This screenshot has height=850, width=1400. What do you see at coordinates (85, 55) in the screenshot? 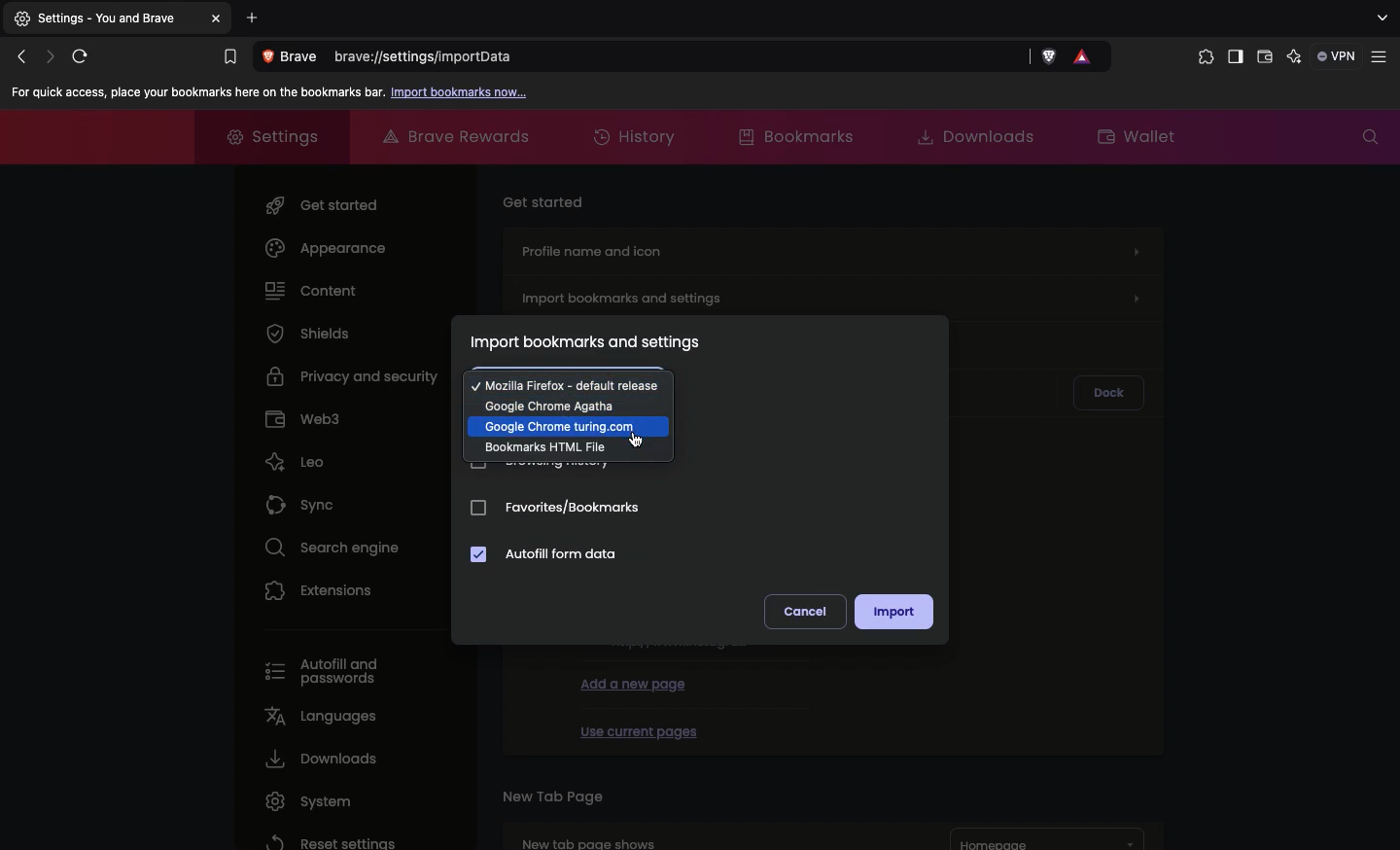
I see `Reload this page` at bounding box center [85, 55].